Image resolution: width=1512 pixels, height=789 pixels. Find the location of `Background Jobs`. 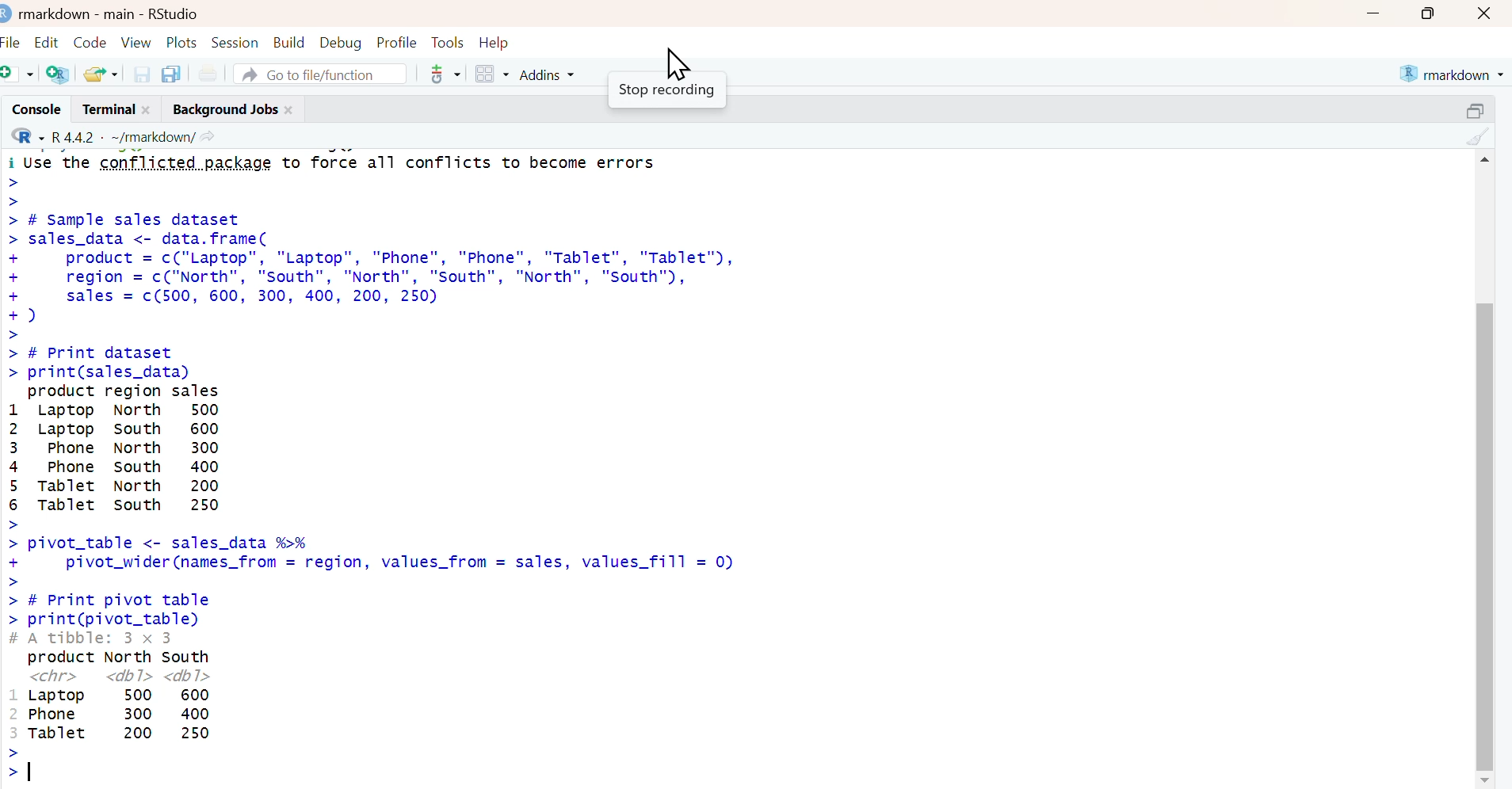

Background Jobs is located at coordinates (223, 108).